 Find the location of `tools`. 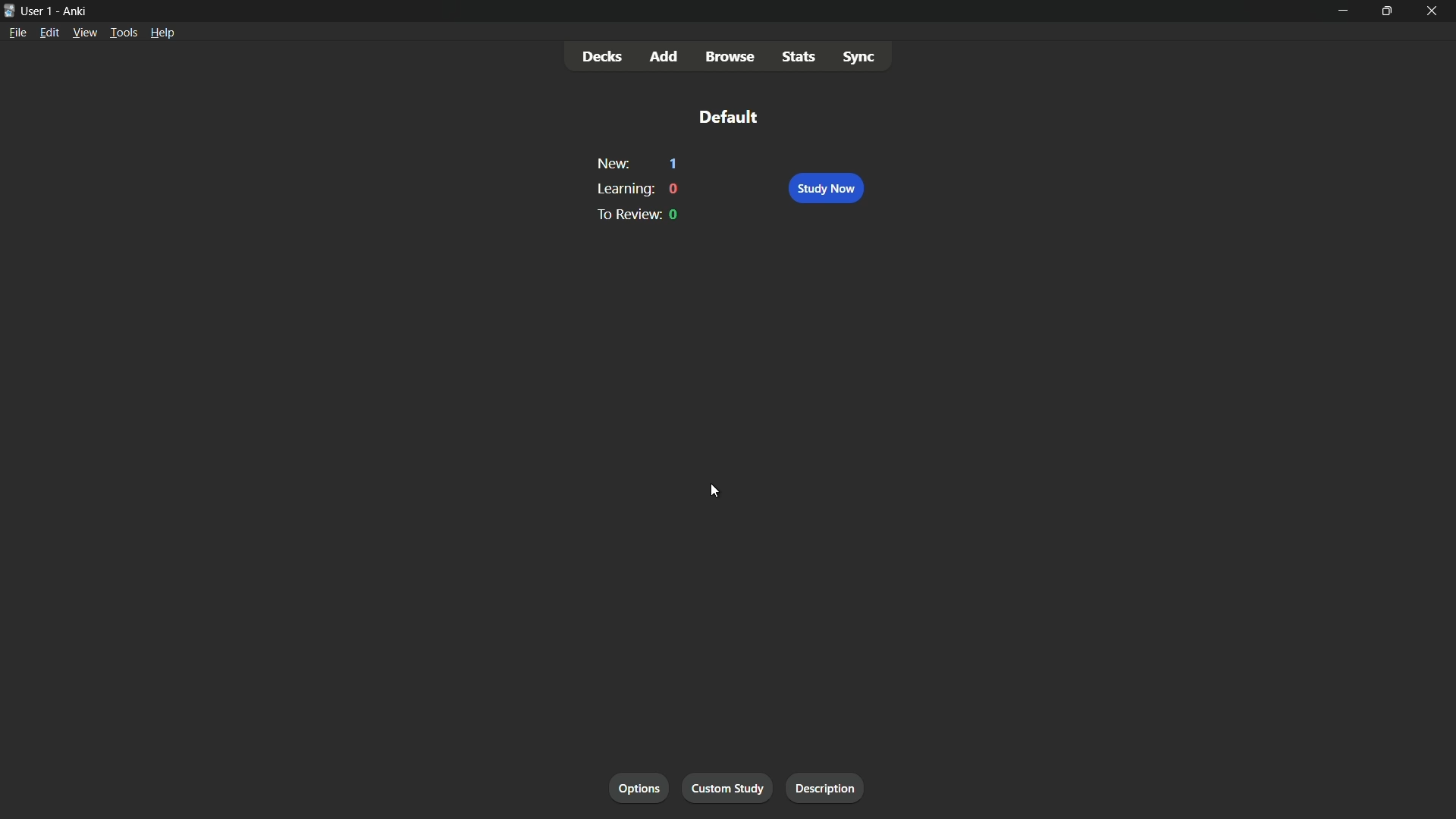

tools is located at coordinates (122, 34).